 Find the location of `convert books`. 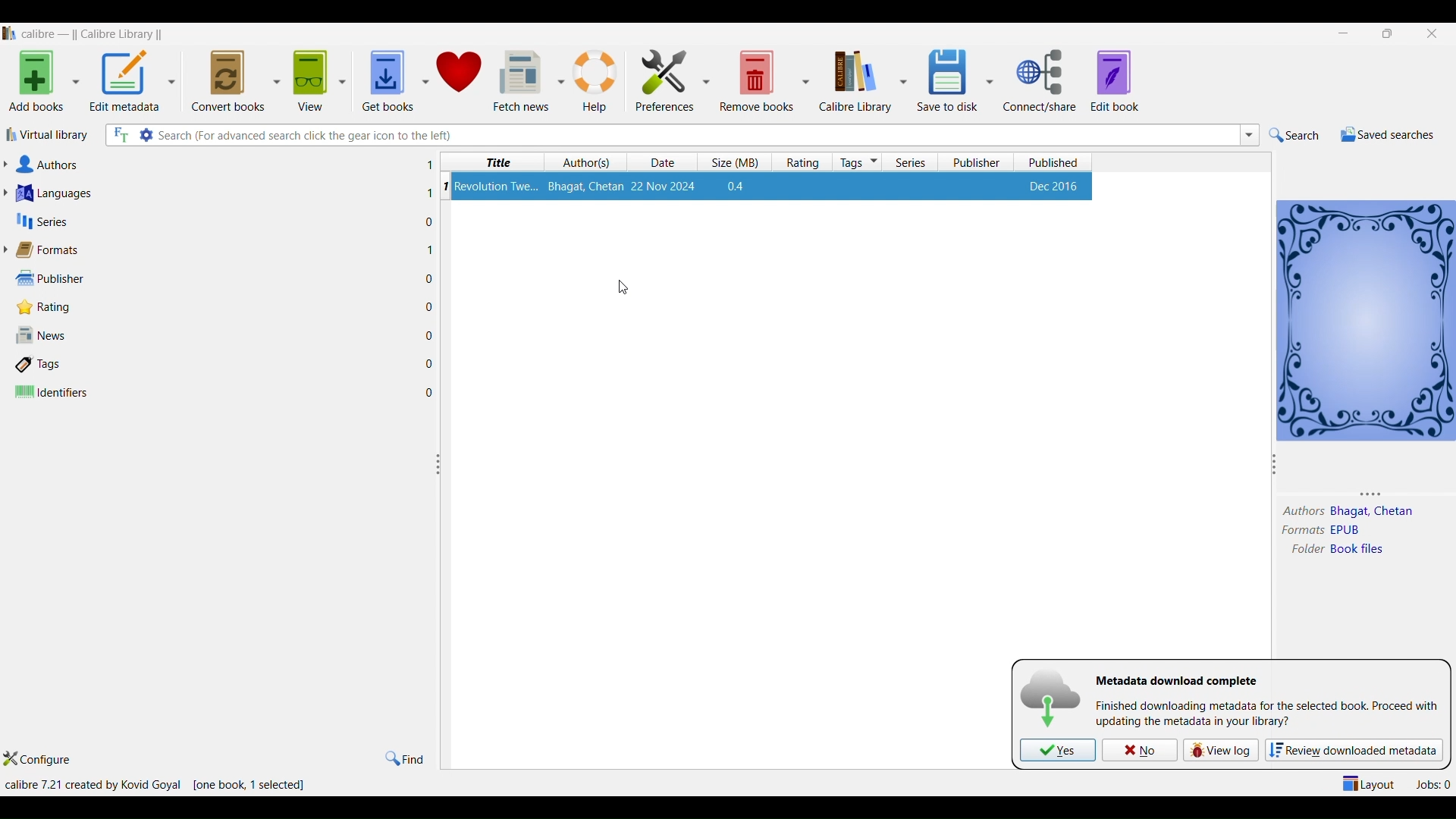

convert books is located at coordinates (227, 78).